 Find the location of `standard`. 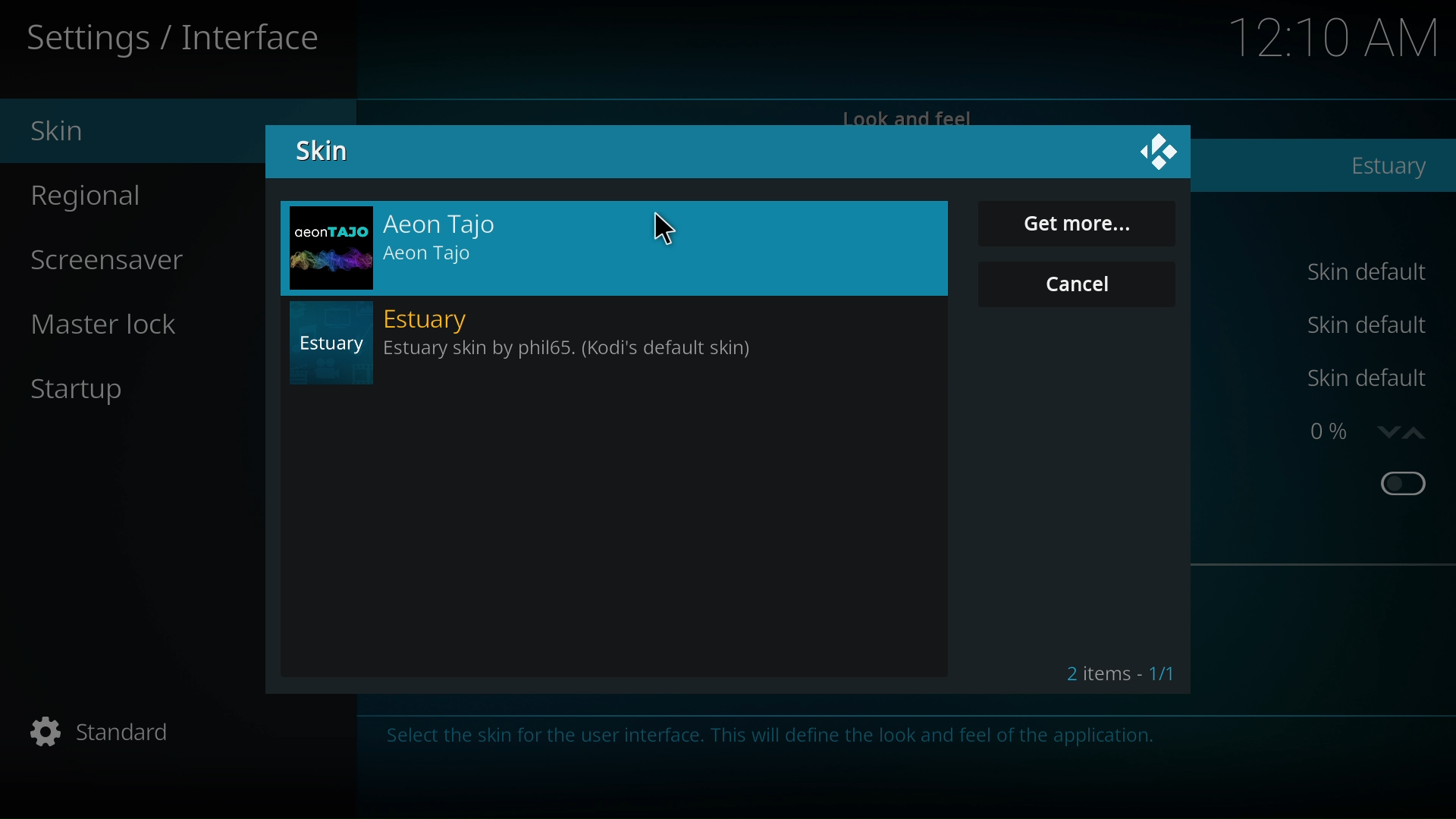

standard is located at coordinates (112, 730).